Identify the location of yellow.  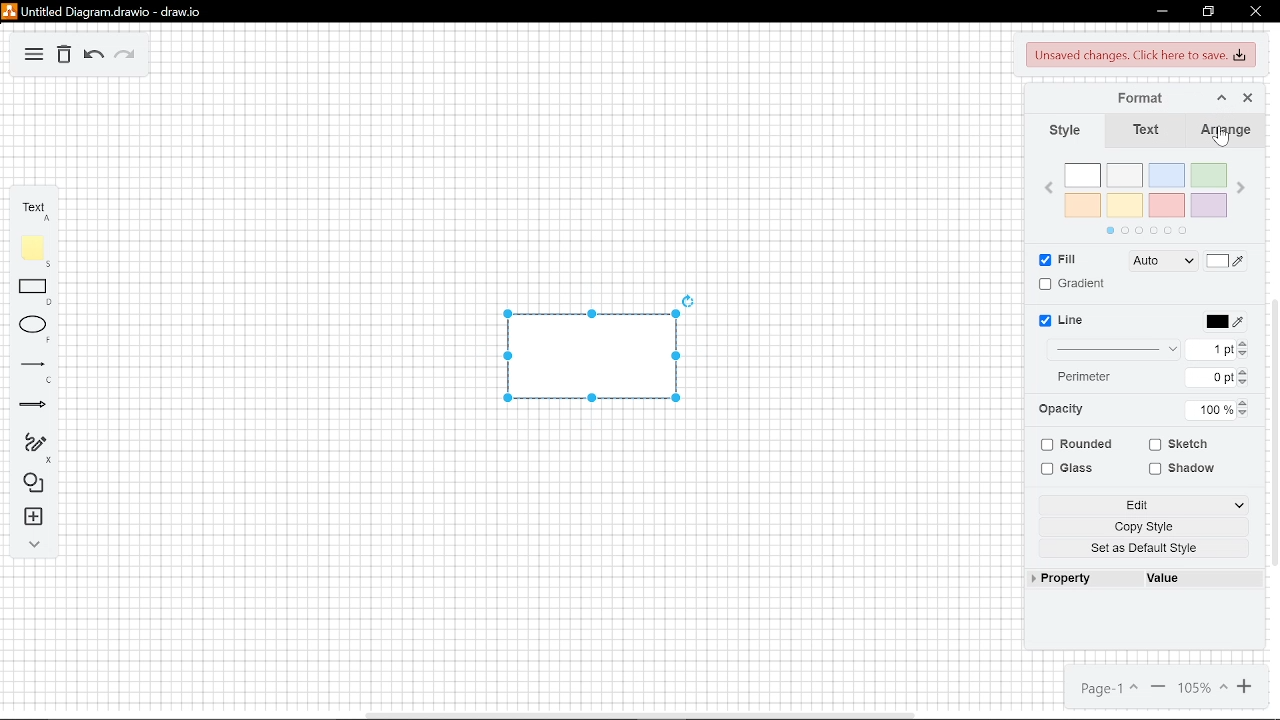
(1126, 205).